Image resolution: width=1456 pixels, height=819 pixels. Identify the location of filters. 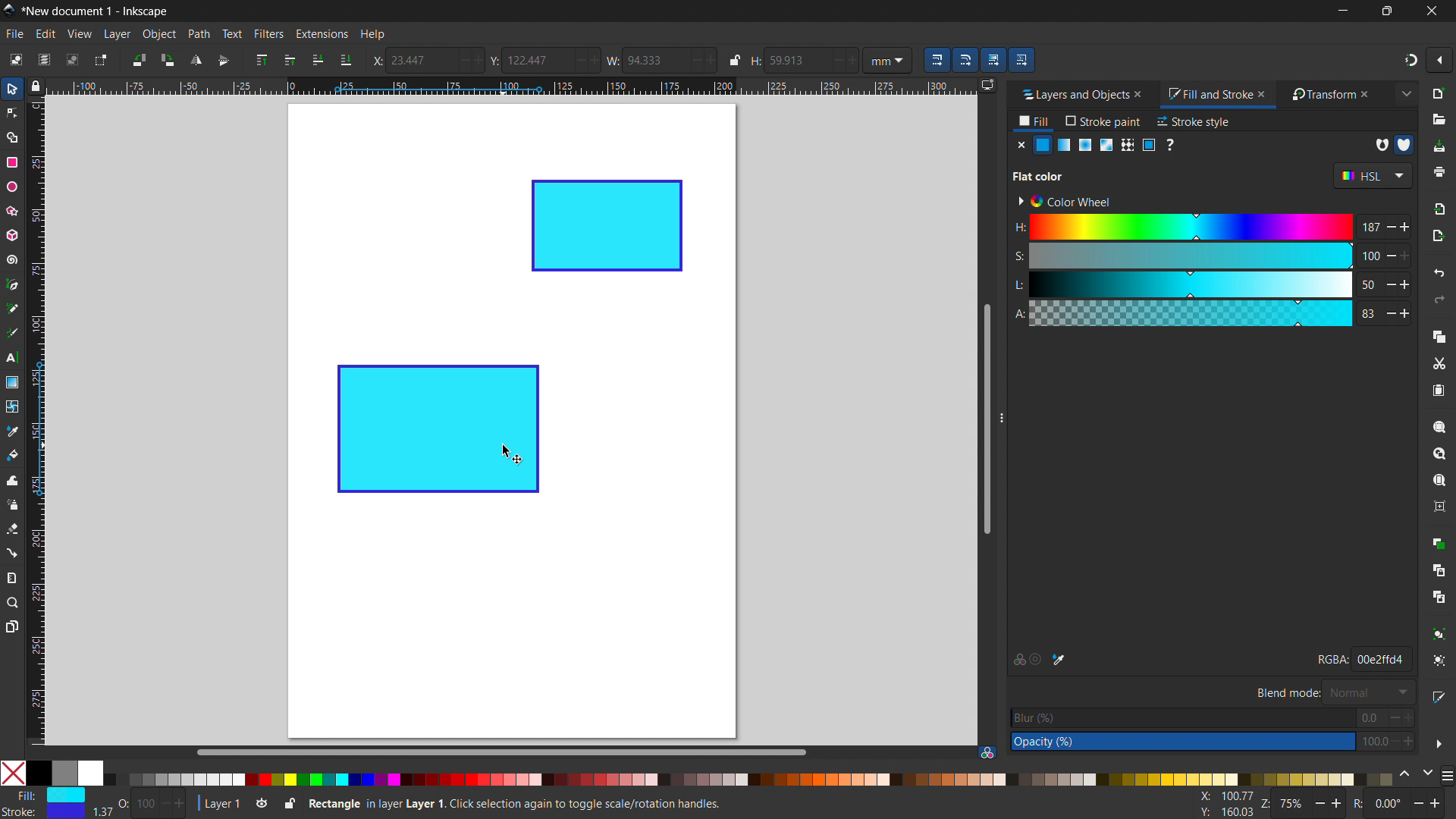
(269, 33).